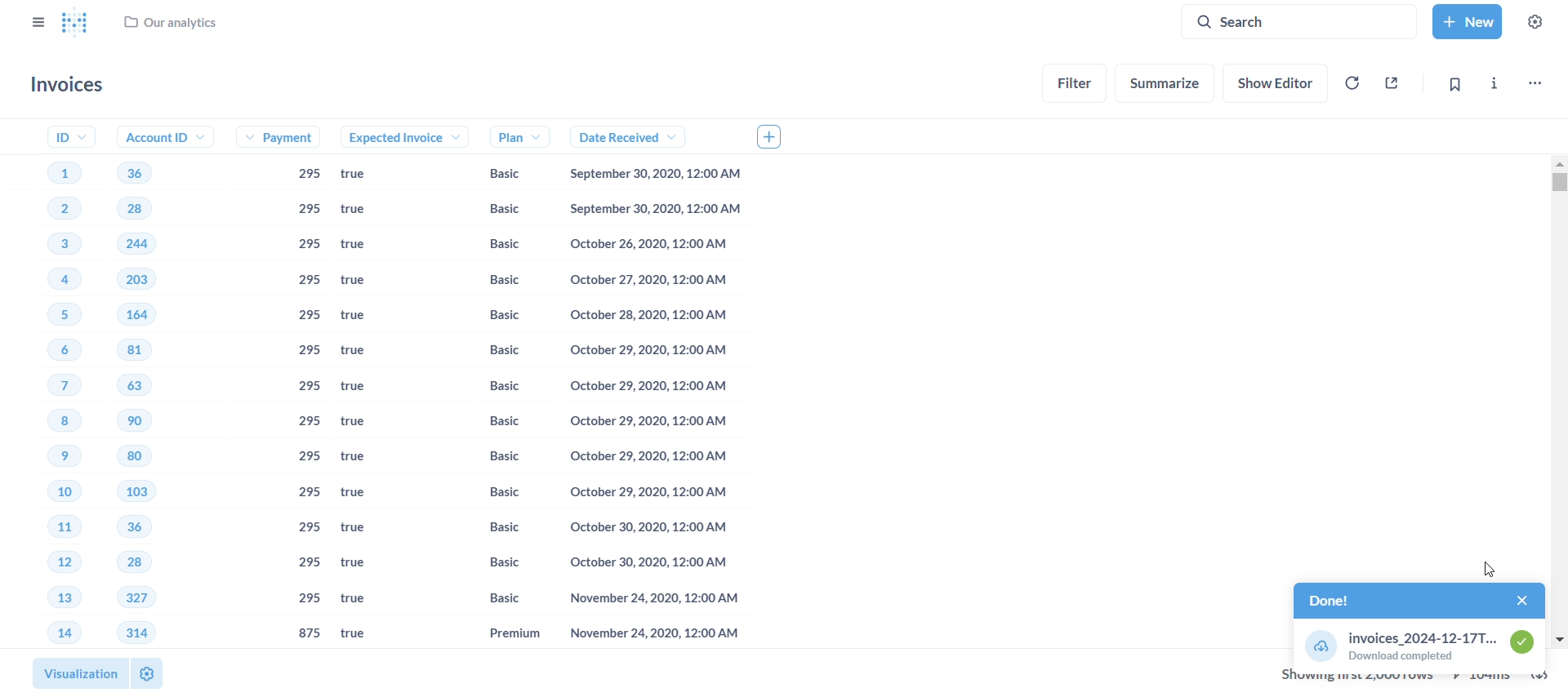 This screenshot has height=697, width=1568. What do you see at coordinates (501, 136) in the screenshot?
I see `plan` at bounding box center [501, 136].